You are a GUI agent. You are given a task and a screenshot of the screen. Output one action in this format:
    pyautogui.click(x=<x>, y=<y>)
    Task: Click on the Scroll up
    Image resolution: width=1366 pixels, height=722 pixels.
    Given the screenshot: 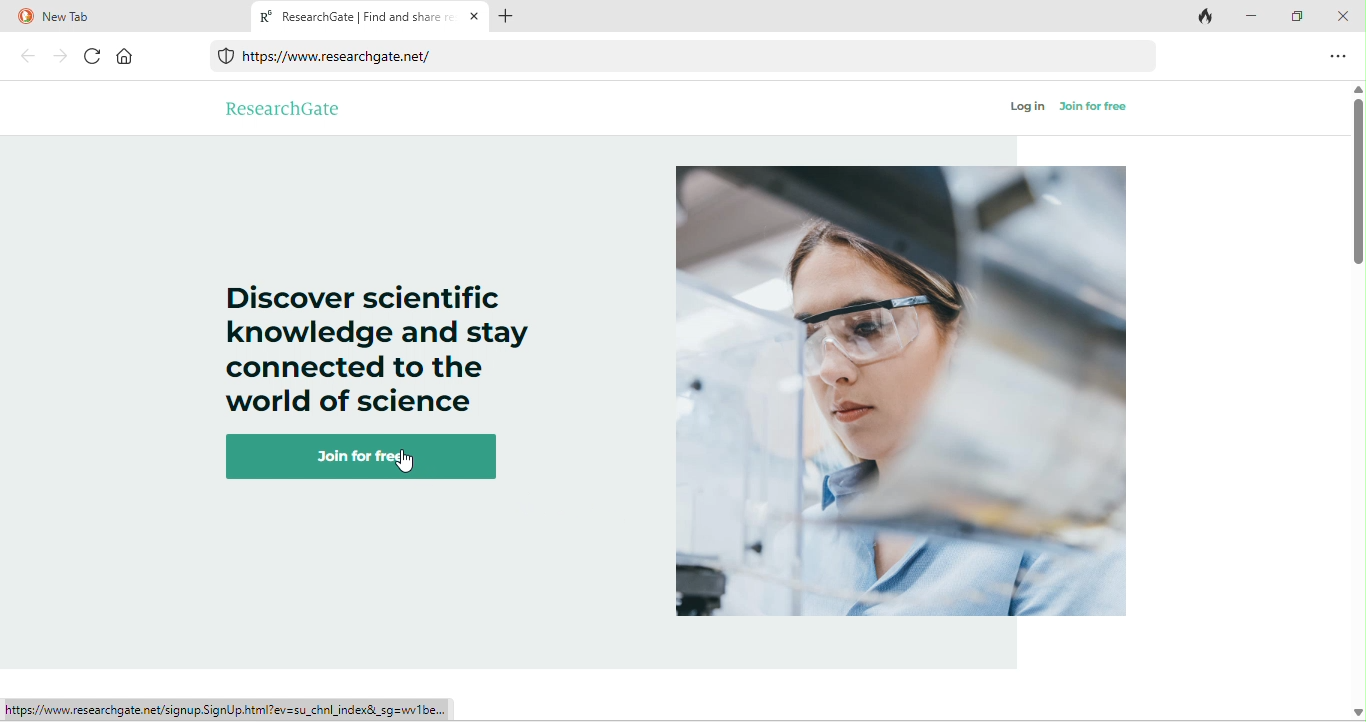 What is the action you would take?
    pyautogui.click(x=1357, y=90)
    